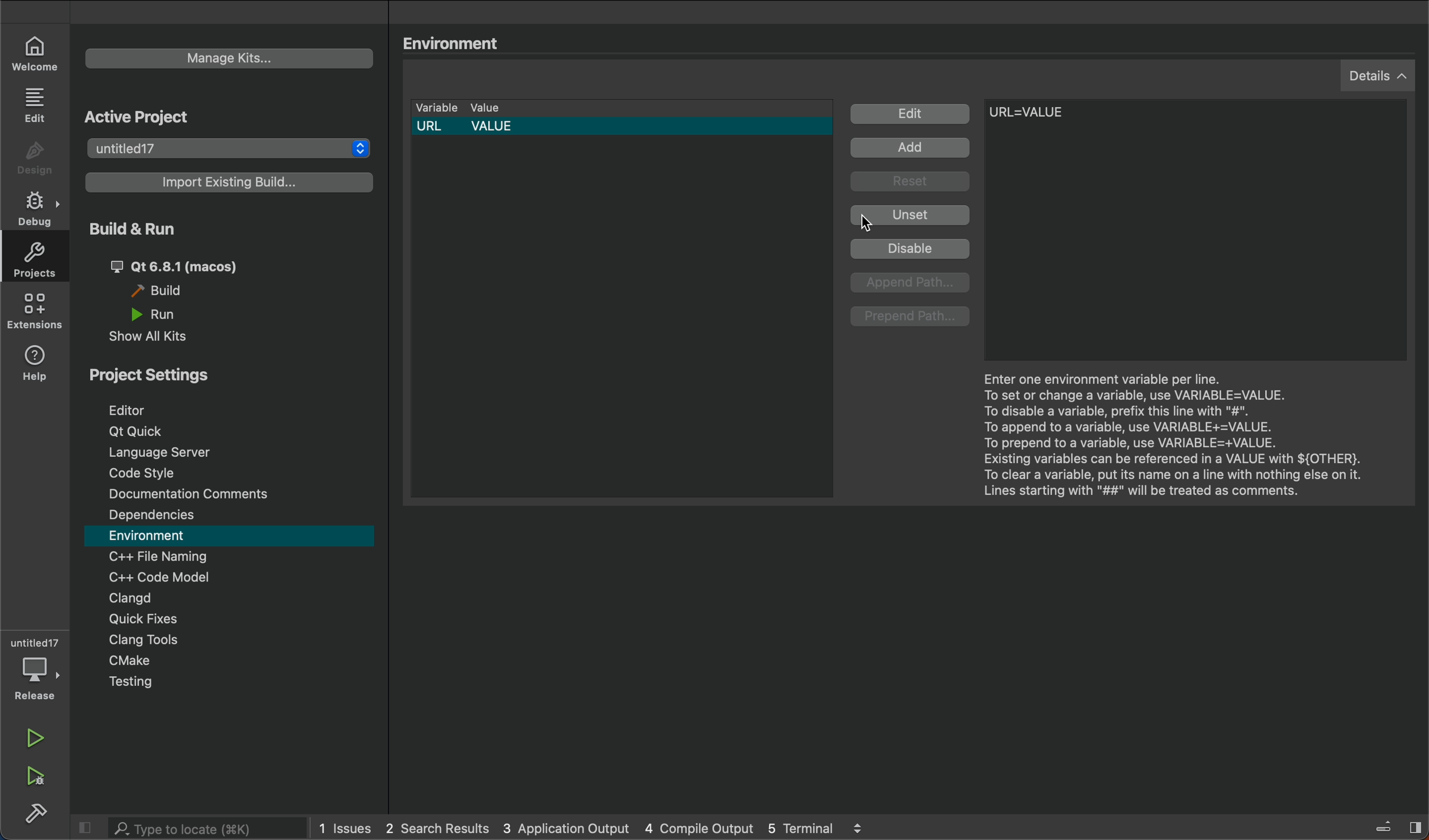 This screenshot has width=1429, height=840. What do you see at coordinates (163, 452) in the screenshot?
I see `language server` at bounding box center [163, 452].